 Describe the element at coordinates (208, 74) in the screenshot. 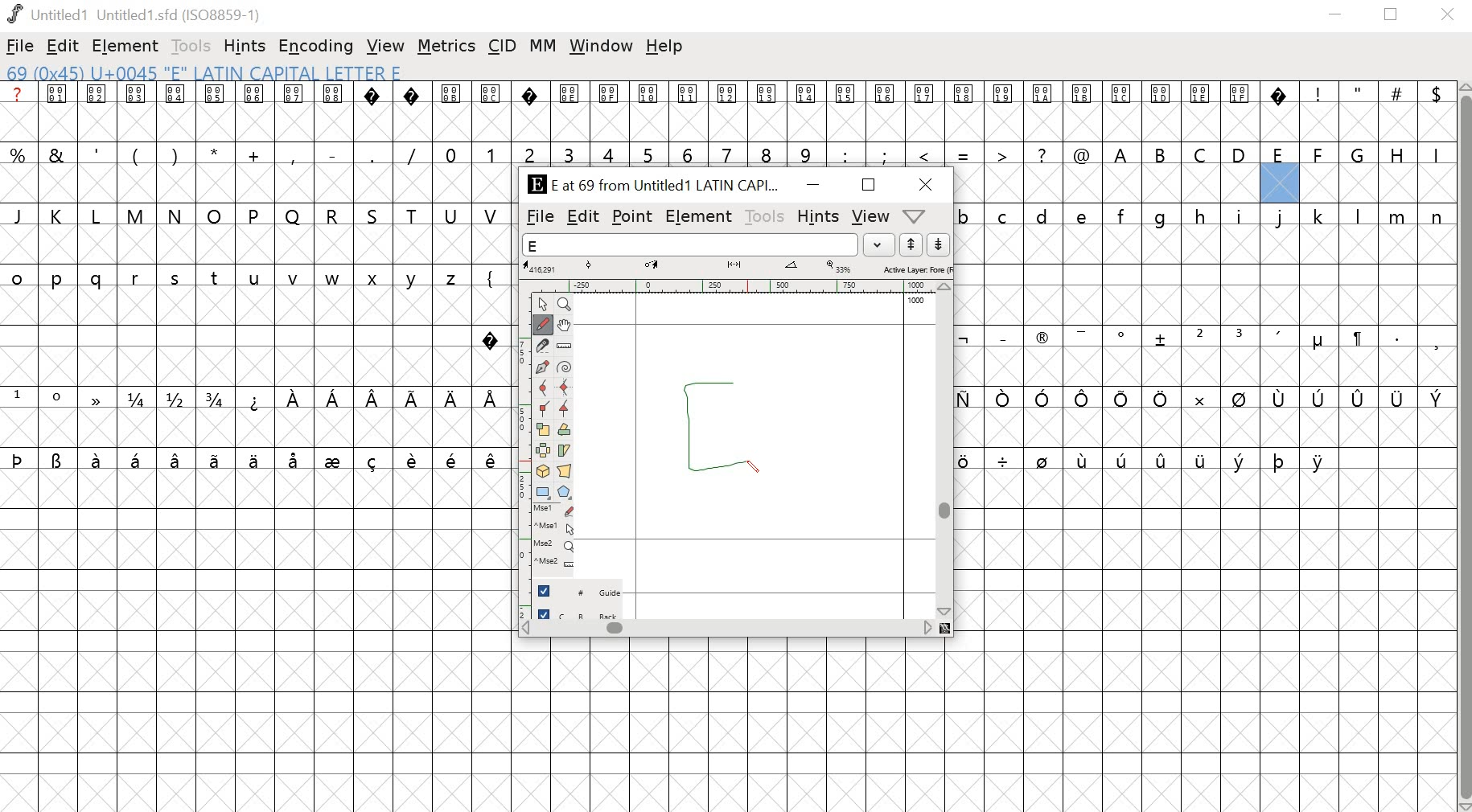

I see `69 (0x45) U+0045 "E" LATIN CAPITAL Letter E` at that location.